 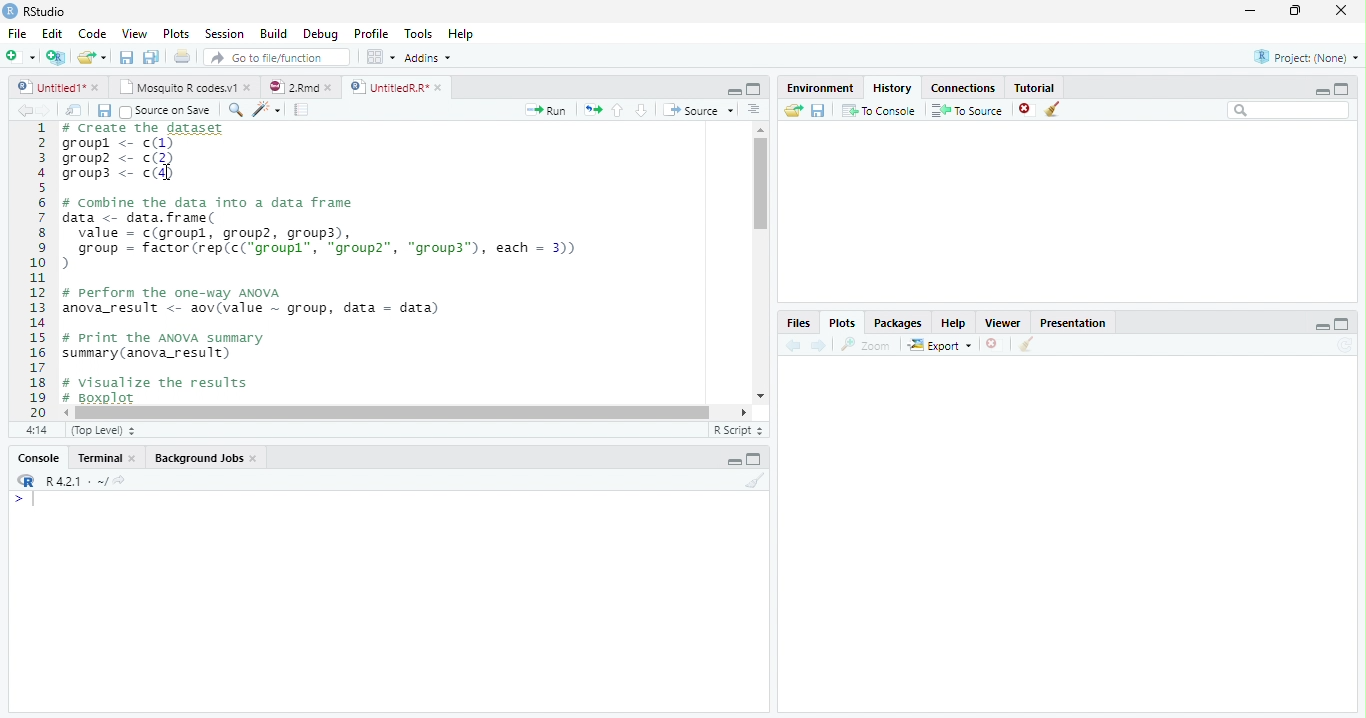 What do you see at coordinates (106, 431) in the screenshot?
I see `Top level` at bounding box center [106, 431].